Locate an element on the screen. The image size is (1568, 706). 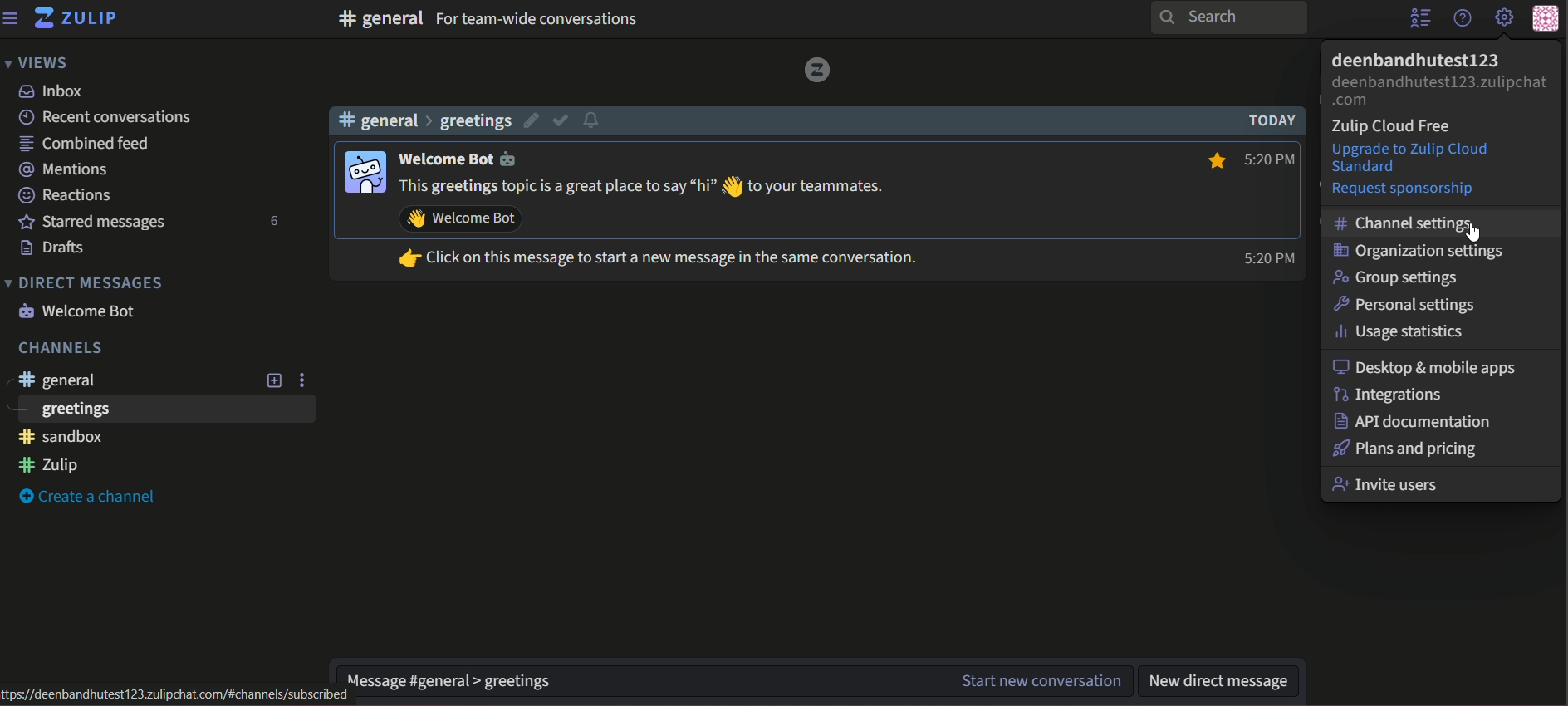
organization settings is located at coordinates (1420, 251).